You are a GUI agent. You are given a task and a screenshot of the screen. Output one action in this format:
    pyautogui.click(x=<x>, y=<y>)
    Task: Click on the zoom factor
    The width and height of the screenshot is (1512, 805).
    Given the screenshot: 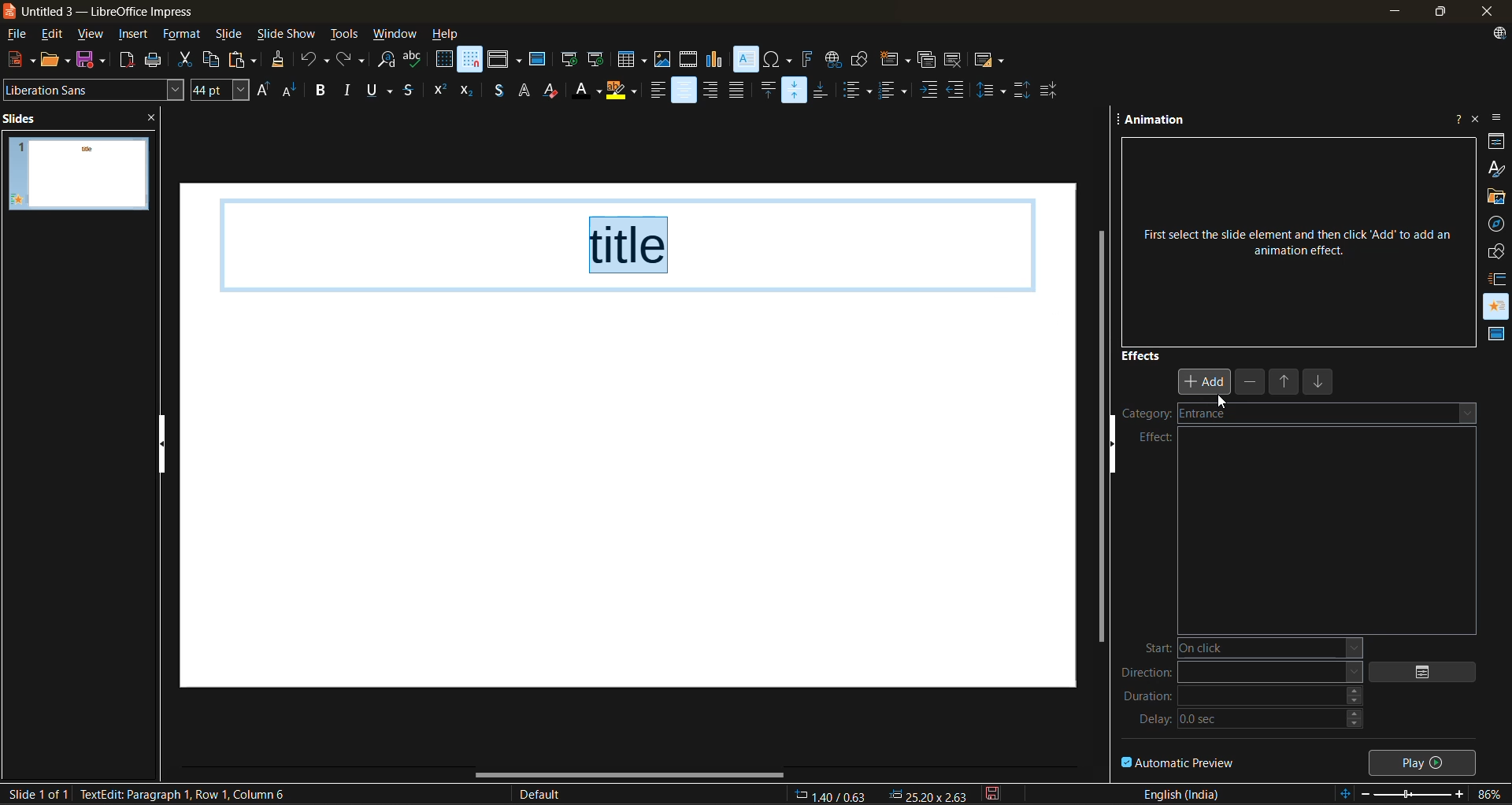 What is the action you would take?
    pyautogui.click(x=1492, y=794)
    